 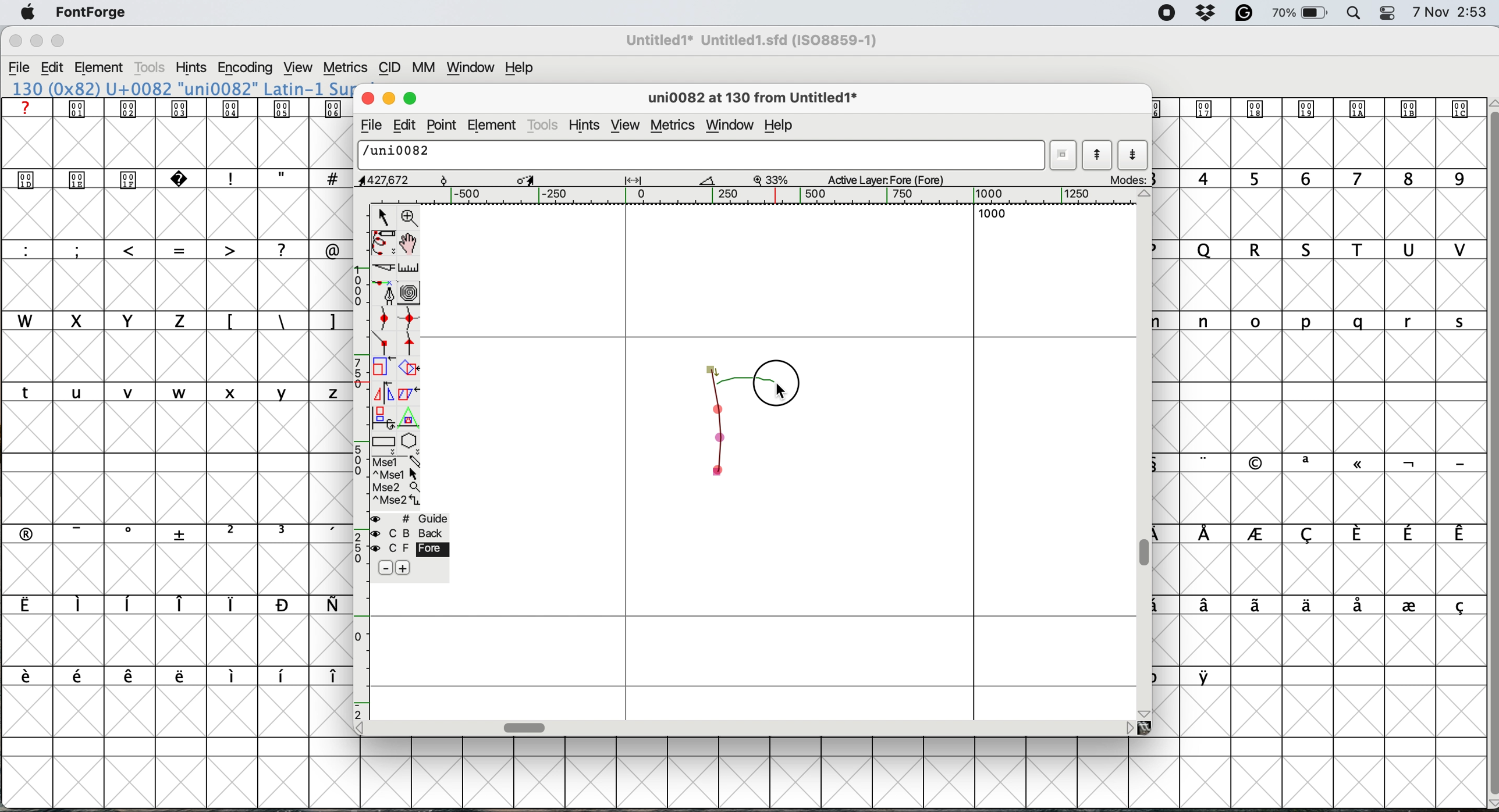 What do you see at coordinates (59, 26) in the screenshot?
I see `` at bounding box center [59, 26].